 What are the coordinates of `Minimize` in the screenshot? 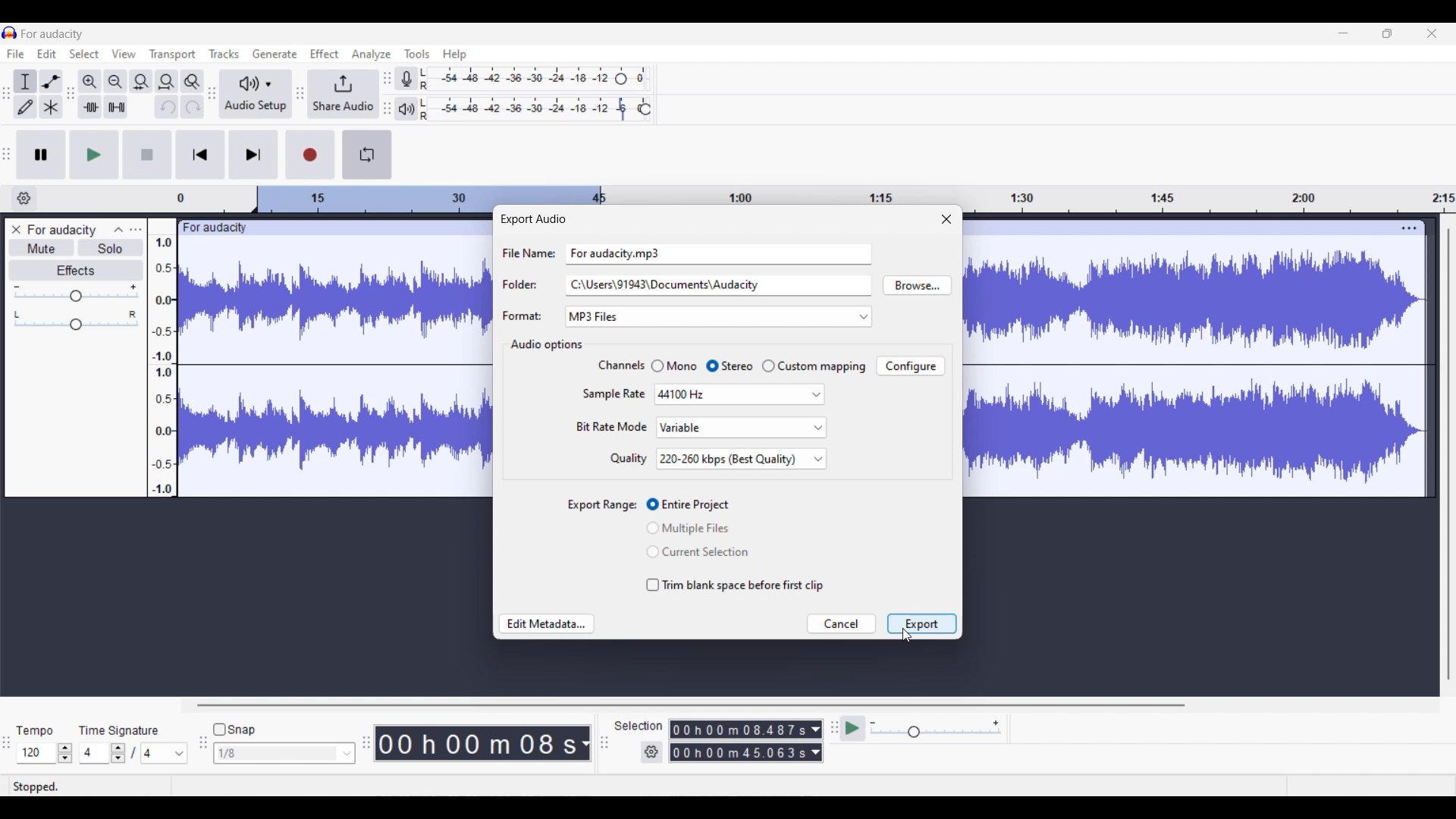 It's located at (1343, 33).